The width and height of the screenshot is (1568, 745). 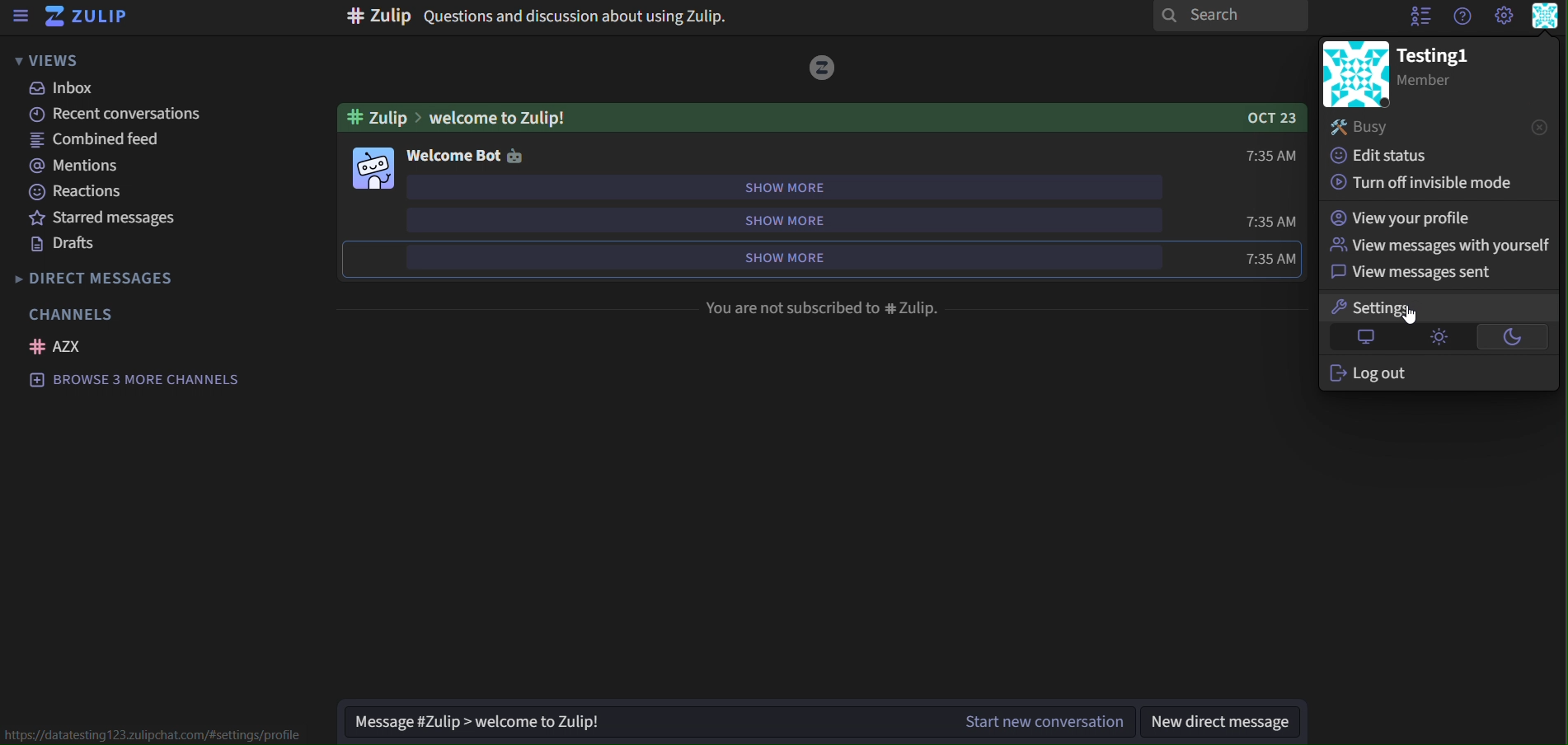 What do you see at coordinates (157, 734) in the screenshot?
I see `https://datatesting123.zulipchat.com/#setting/profile` at bounding box center [157, 734].